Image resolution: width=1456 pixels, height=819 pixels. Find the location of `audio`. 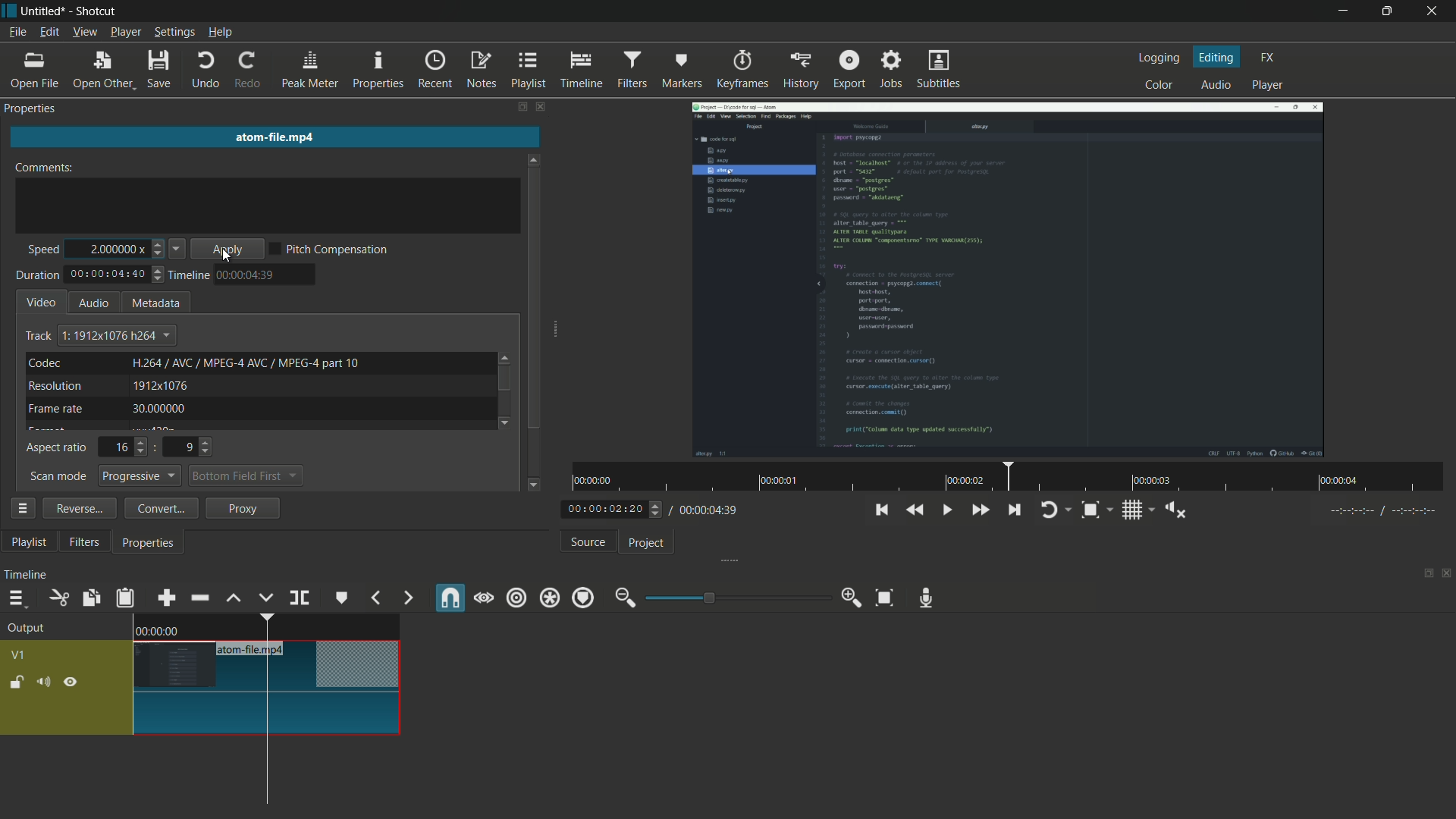

audio is located at coordinates (1217, 83).